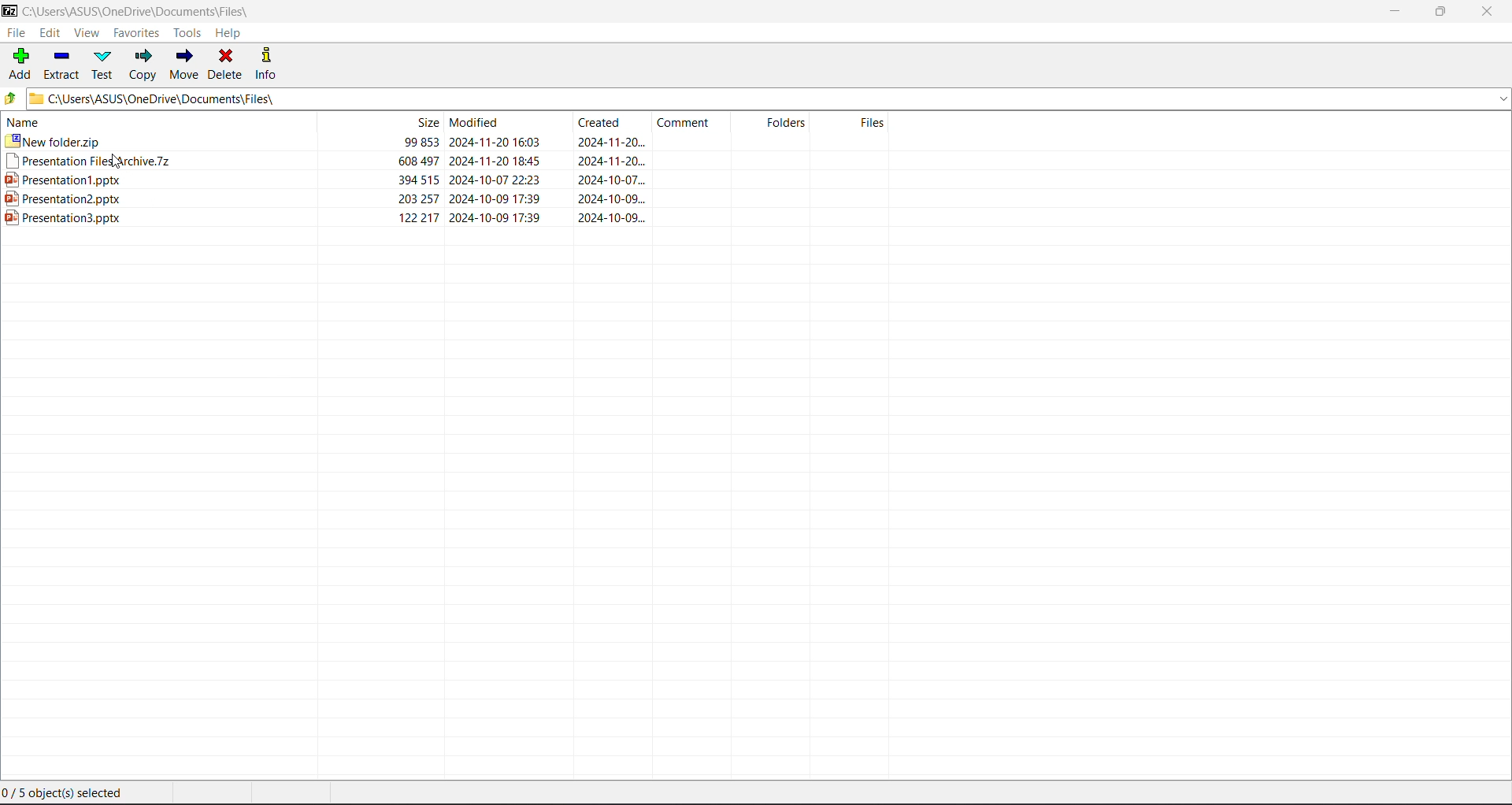  I want to click on Restore Down, so click(1443, 11).